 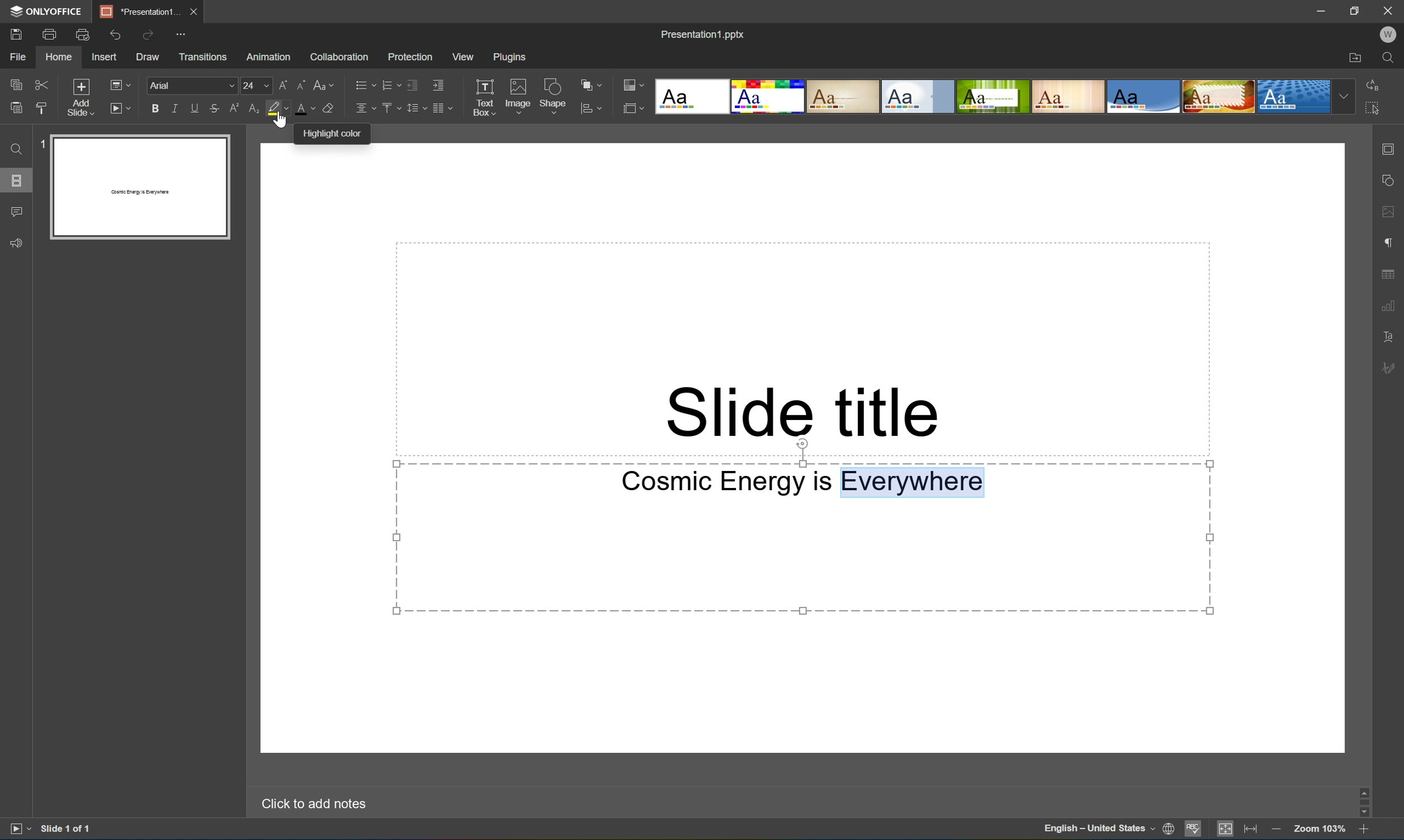 I want to click on Paste style, so click(x=45, y=107).